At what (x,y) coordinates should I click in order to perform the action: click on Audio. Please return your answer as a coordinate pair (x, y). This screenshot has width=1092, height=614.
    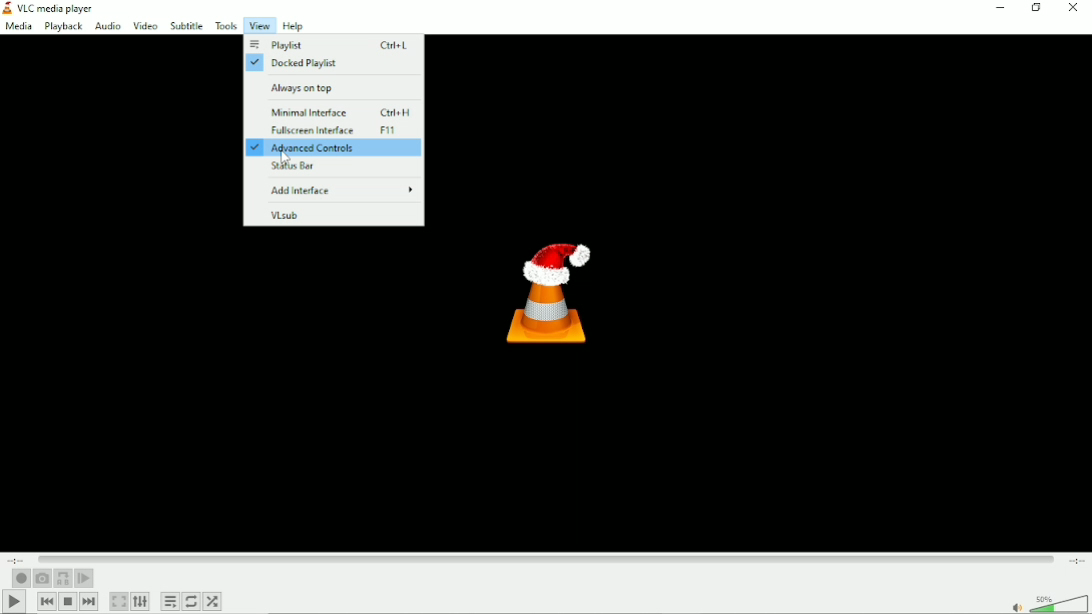
    Looking at the image, I should click on (107, 26).